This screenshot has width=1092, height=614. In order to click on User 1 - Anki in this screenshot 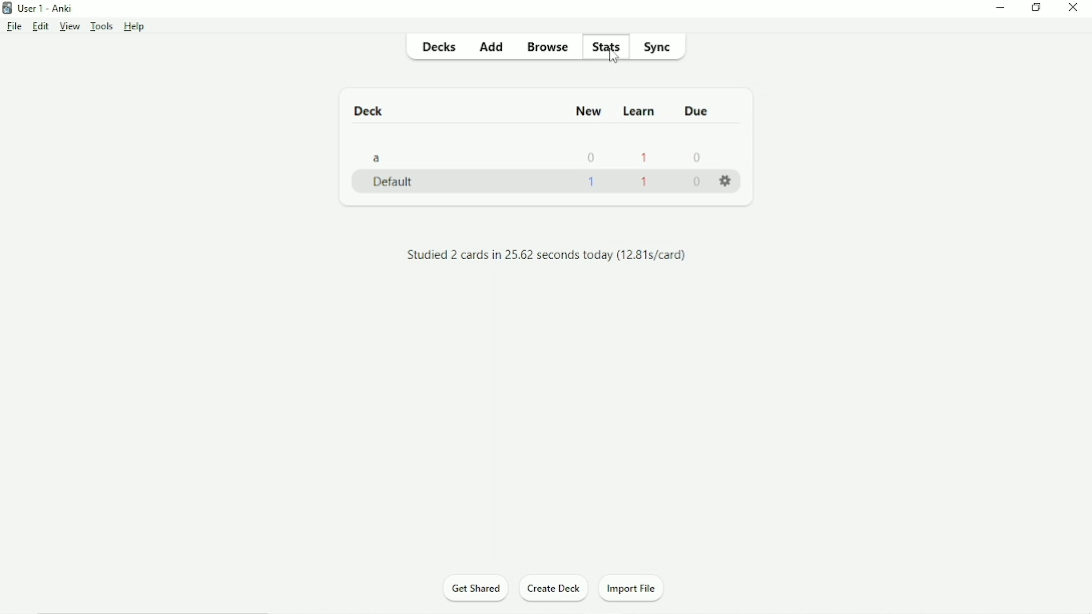, I will do `click(40, 8)`.